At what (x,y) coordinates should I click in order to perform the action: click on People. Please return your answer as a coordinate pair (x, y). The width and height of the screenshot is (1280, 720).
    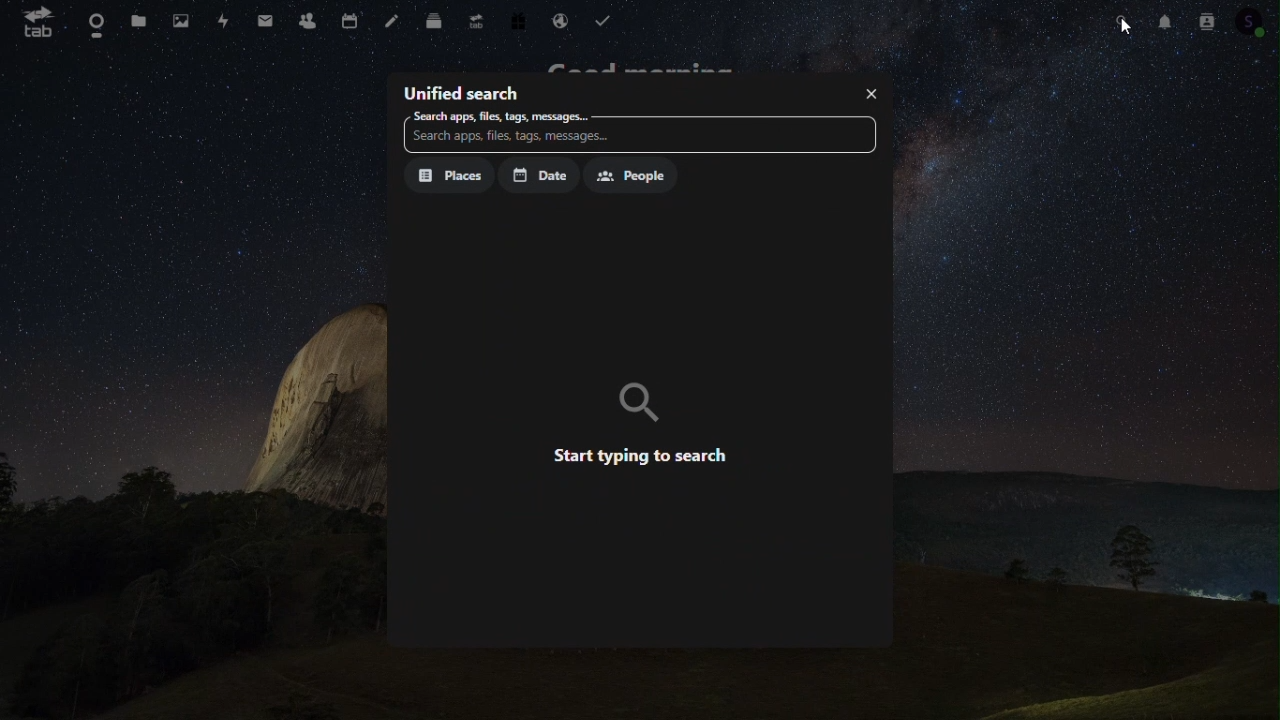
    Looking at the image, I should click on (629, 174).